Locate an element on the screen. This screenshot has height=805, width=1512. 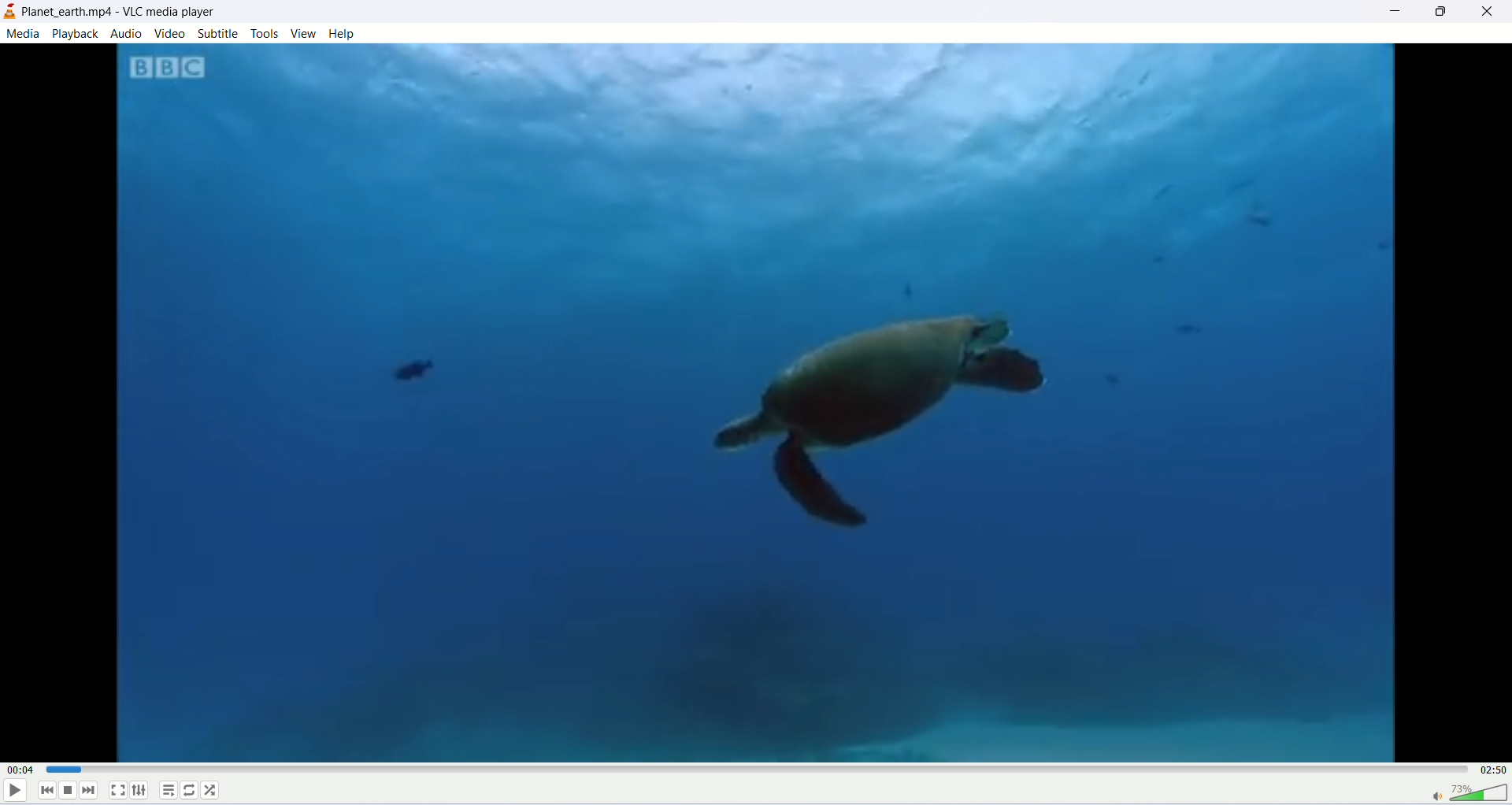
help is located at coordinates (343, 33).